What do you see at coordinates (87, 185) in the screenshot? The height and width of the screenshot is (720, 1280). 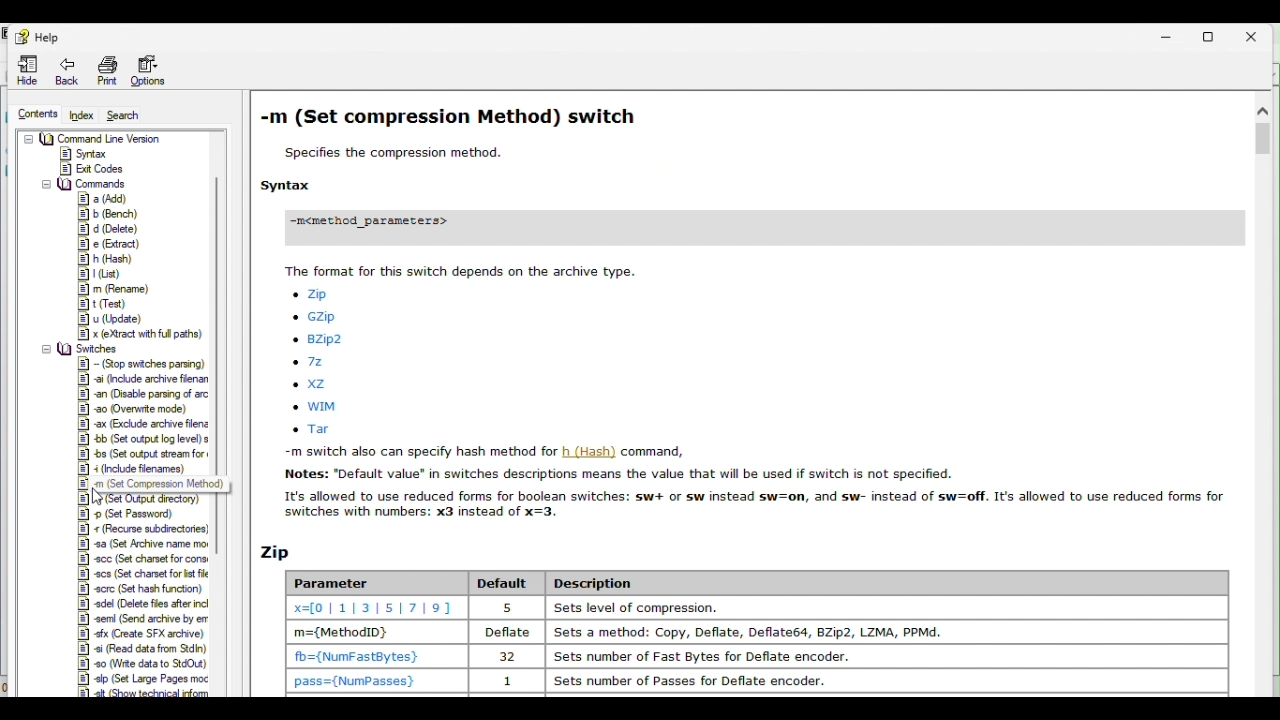 I see `commands` at bounding box center [87, 185].